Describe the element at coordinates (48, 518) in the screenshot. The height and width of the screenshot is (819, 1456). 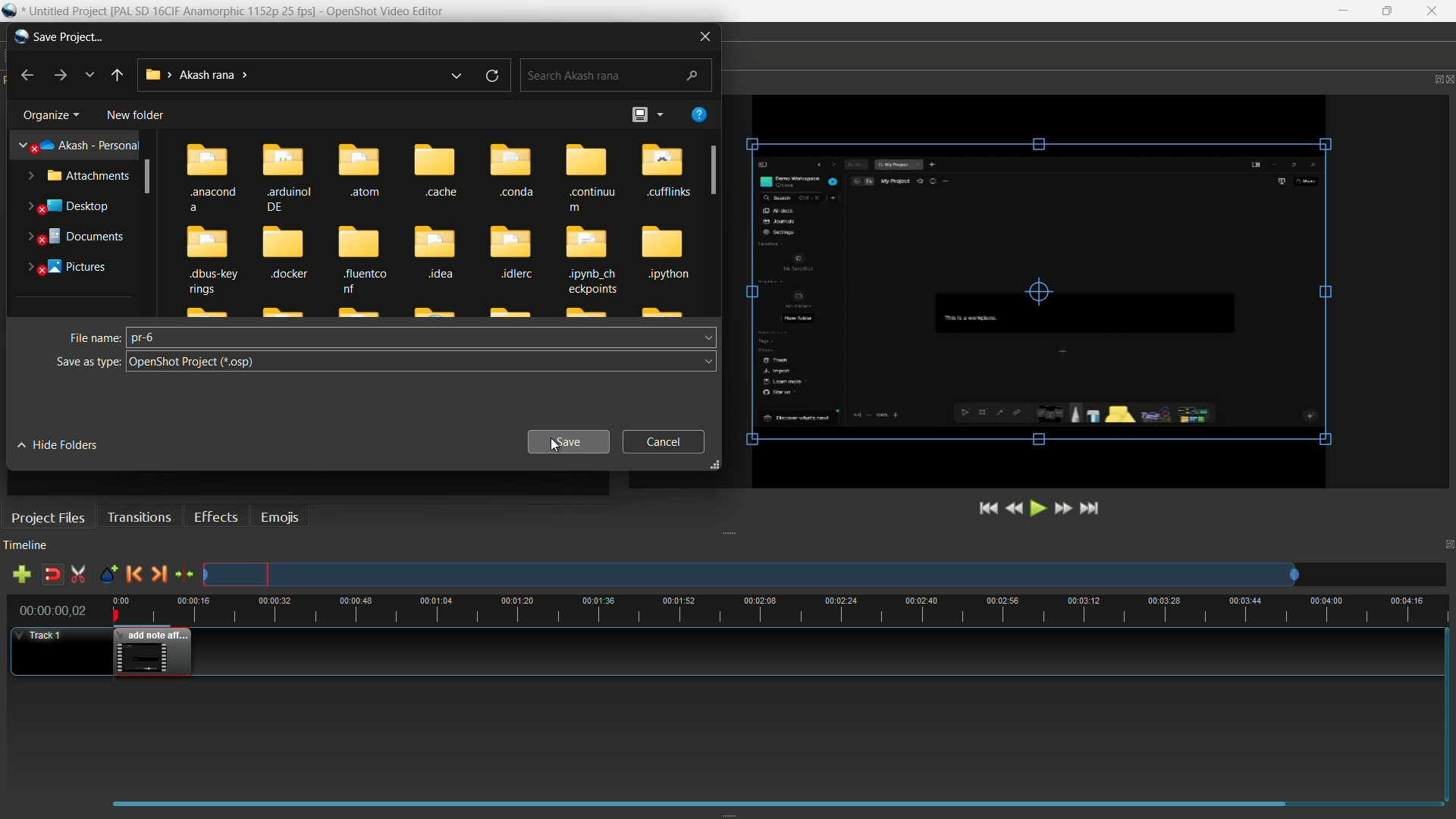
I see `project files` at that location.